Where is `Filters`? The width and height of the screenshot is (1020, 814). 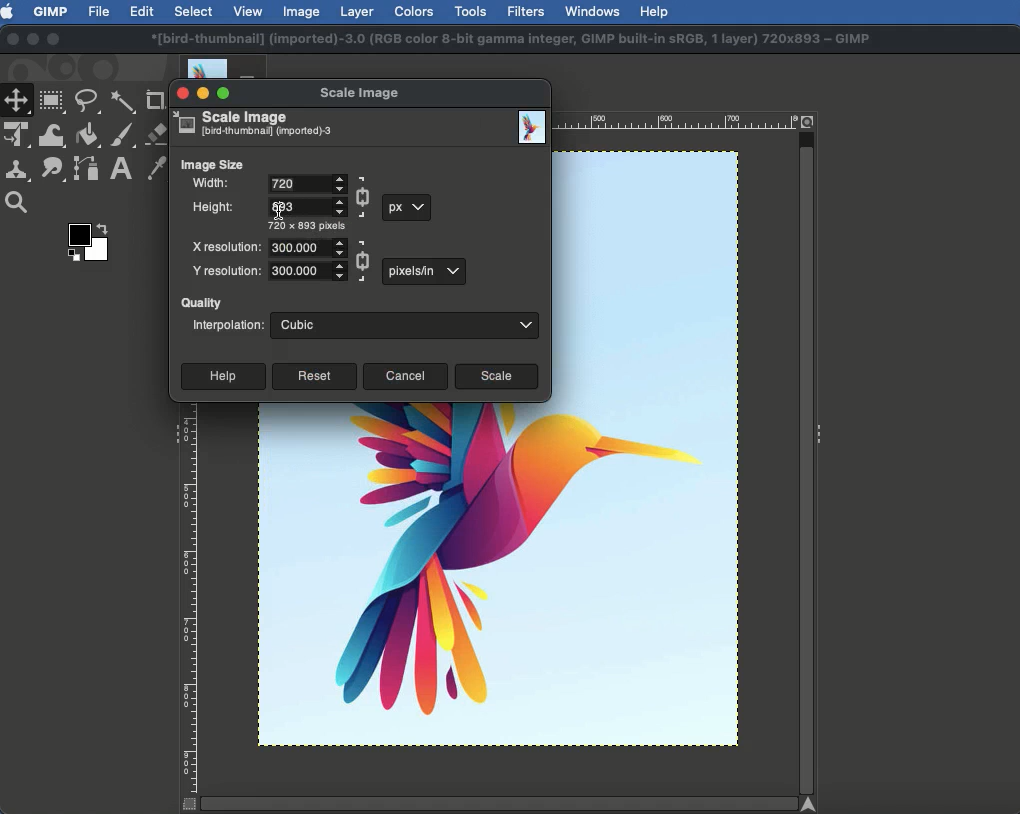 Filters is located at coordinates (527, 12).